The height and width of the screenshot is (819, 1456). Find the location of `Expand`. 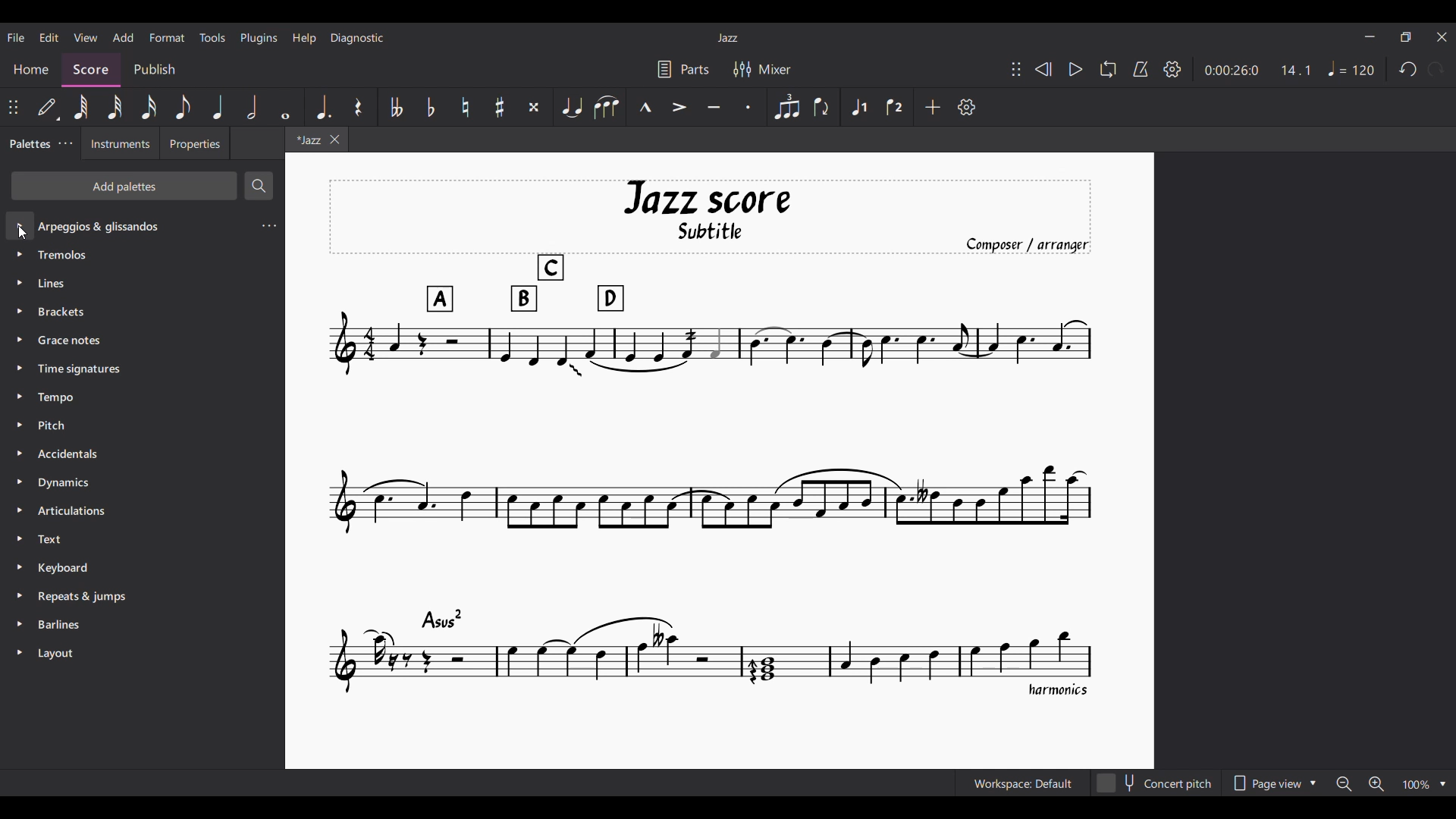

Expand is located at coordinates (20, 439).